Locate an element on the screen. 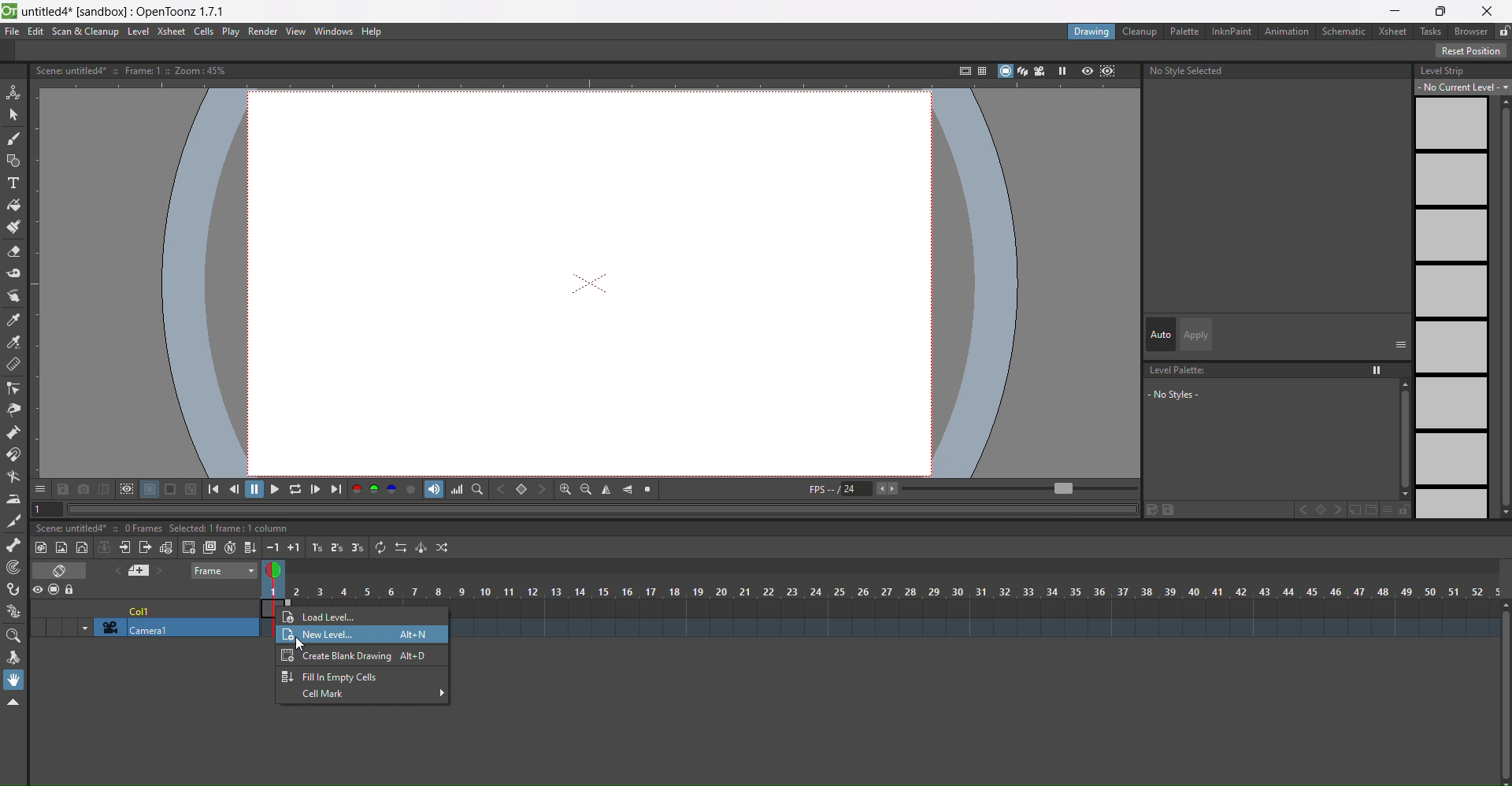 Image resolution: width=1512 pixels, height=786 pixels. load level is located at coordinates (343, 617).